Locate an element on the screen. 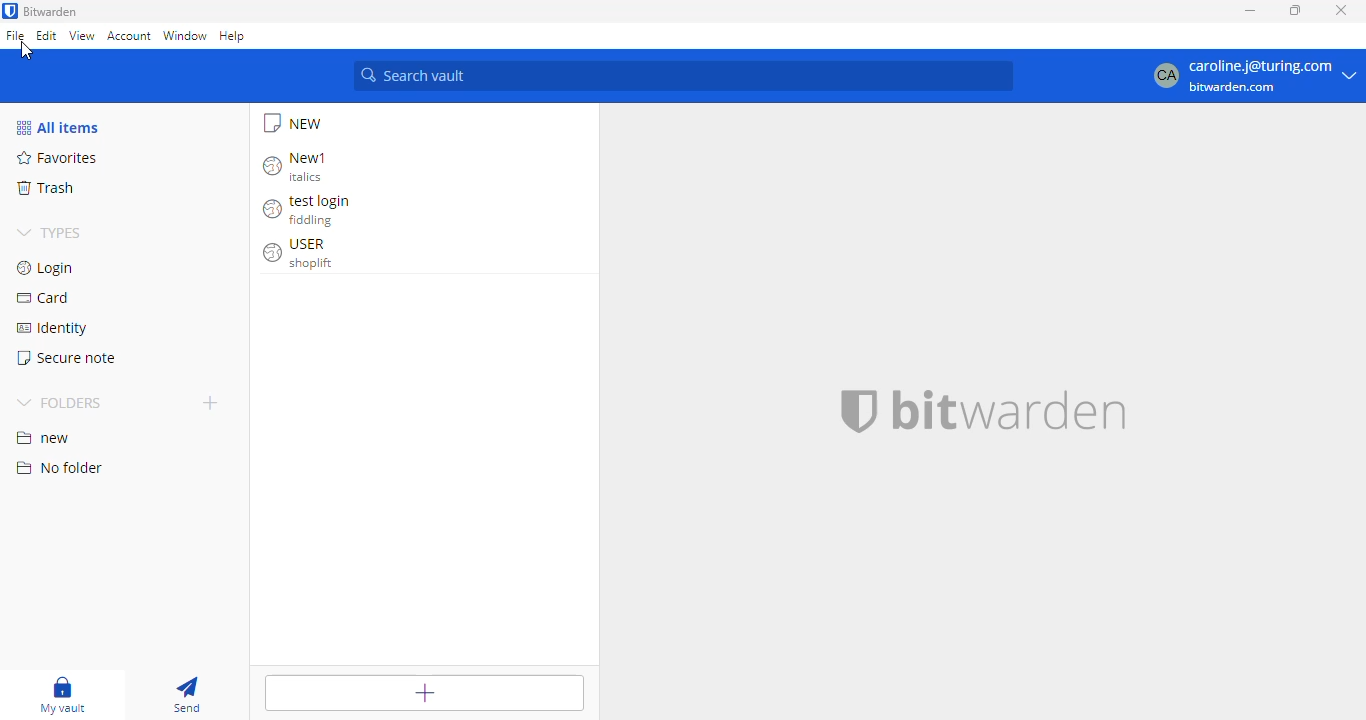 The height and width of the screenshot is (720, 1366). bitwarden is located at coordinates (975, 411).